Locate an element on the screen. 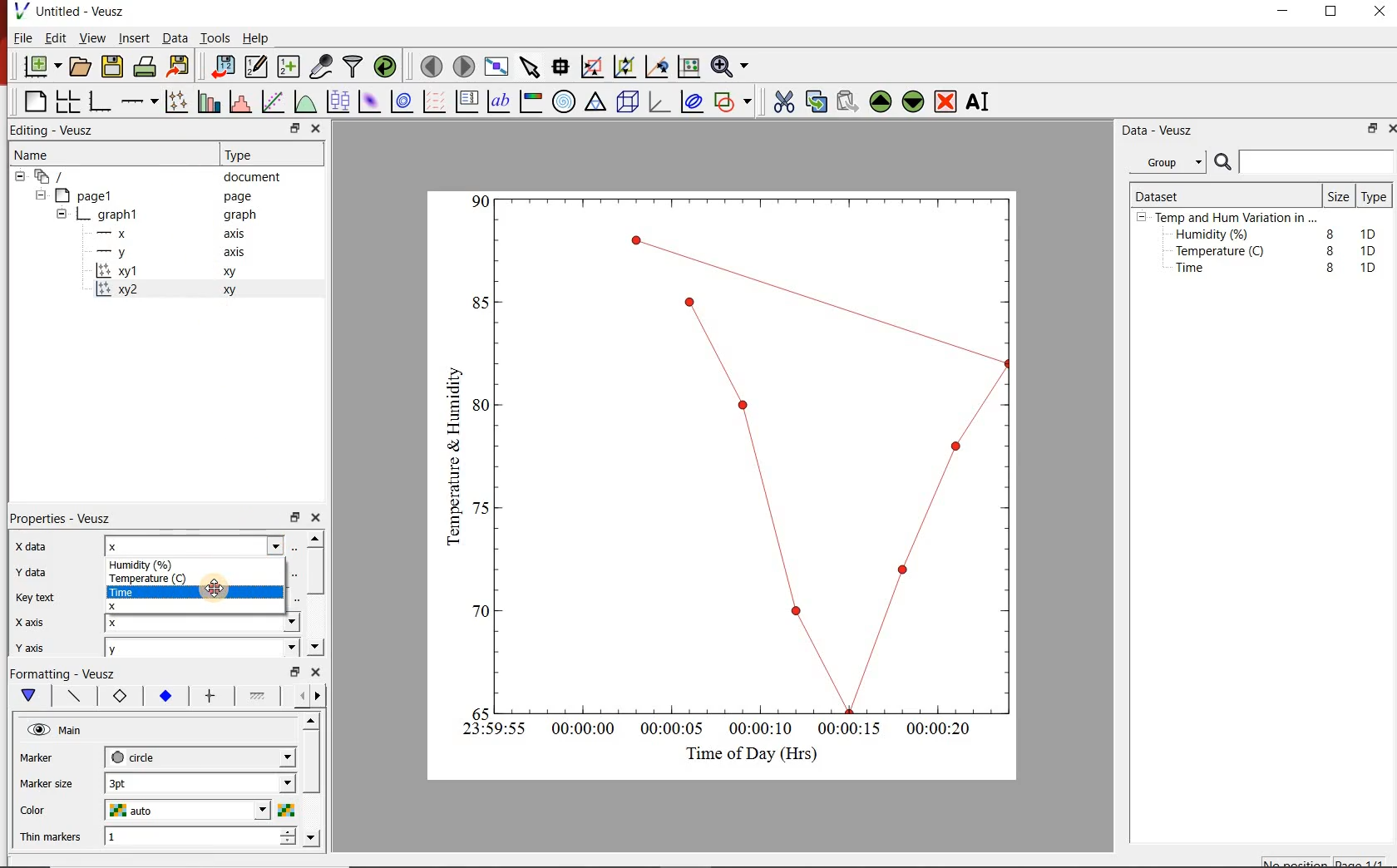 This screenshot has height=868, width=1397. move to the previous page is located at coordinates (430, 67).